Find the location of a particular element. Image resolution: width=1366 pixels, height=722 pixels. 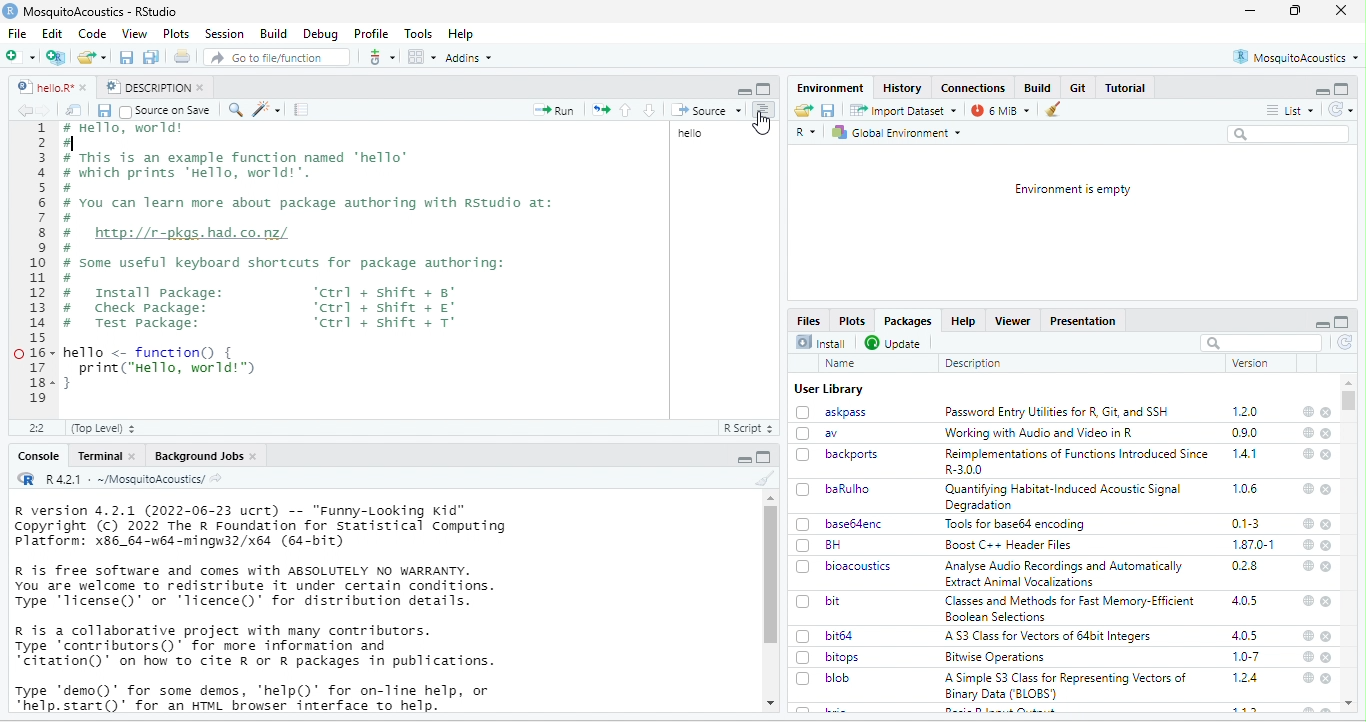

help is located at coordinates (1307, 601).